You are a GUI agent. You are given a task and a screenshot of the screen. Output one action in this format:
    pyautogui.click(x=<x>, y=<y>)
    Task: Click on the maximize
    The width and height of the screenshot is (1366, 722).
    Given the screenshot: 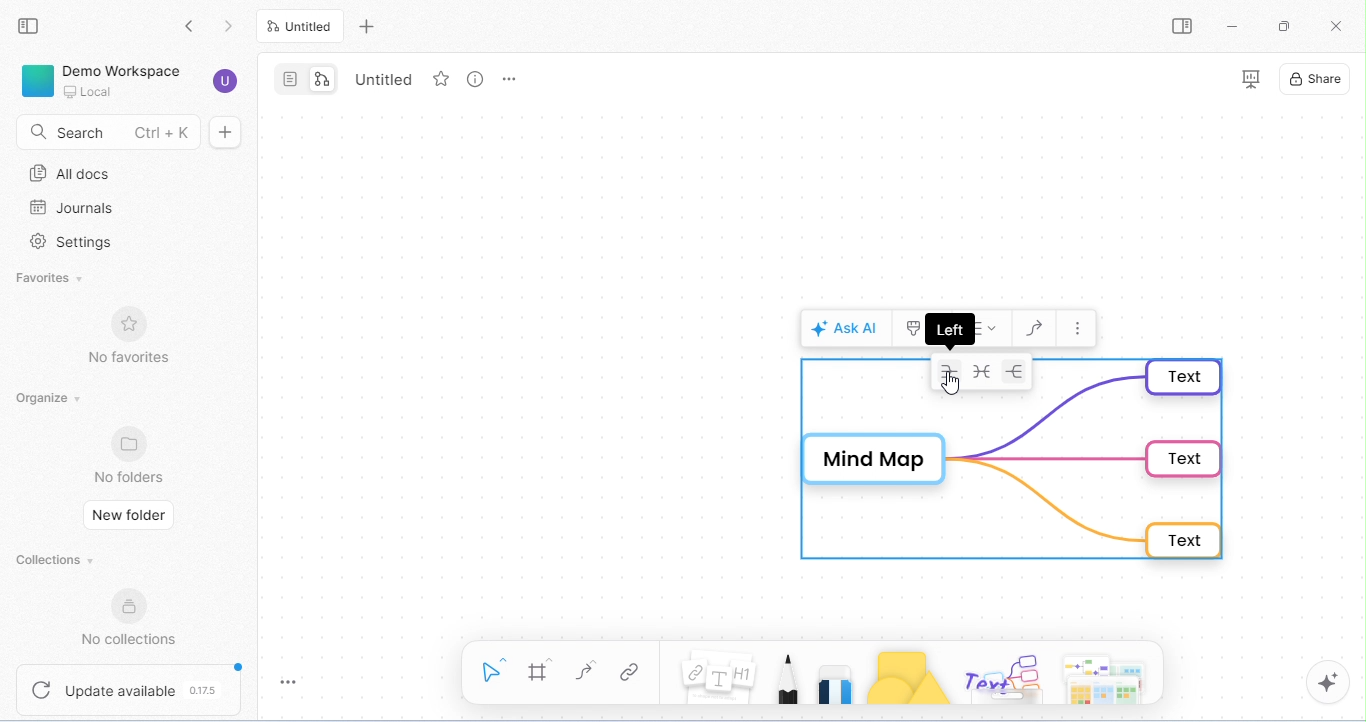 What is the action you would take?
    pyautogui.click(x=1282, y=26)
    